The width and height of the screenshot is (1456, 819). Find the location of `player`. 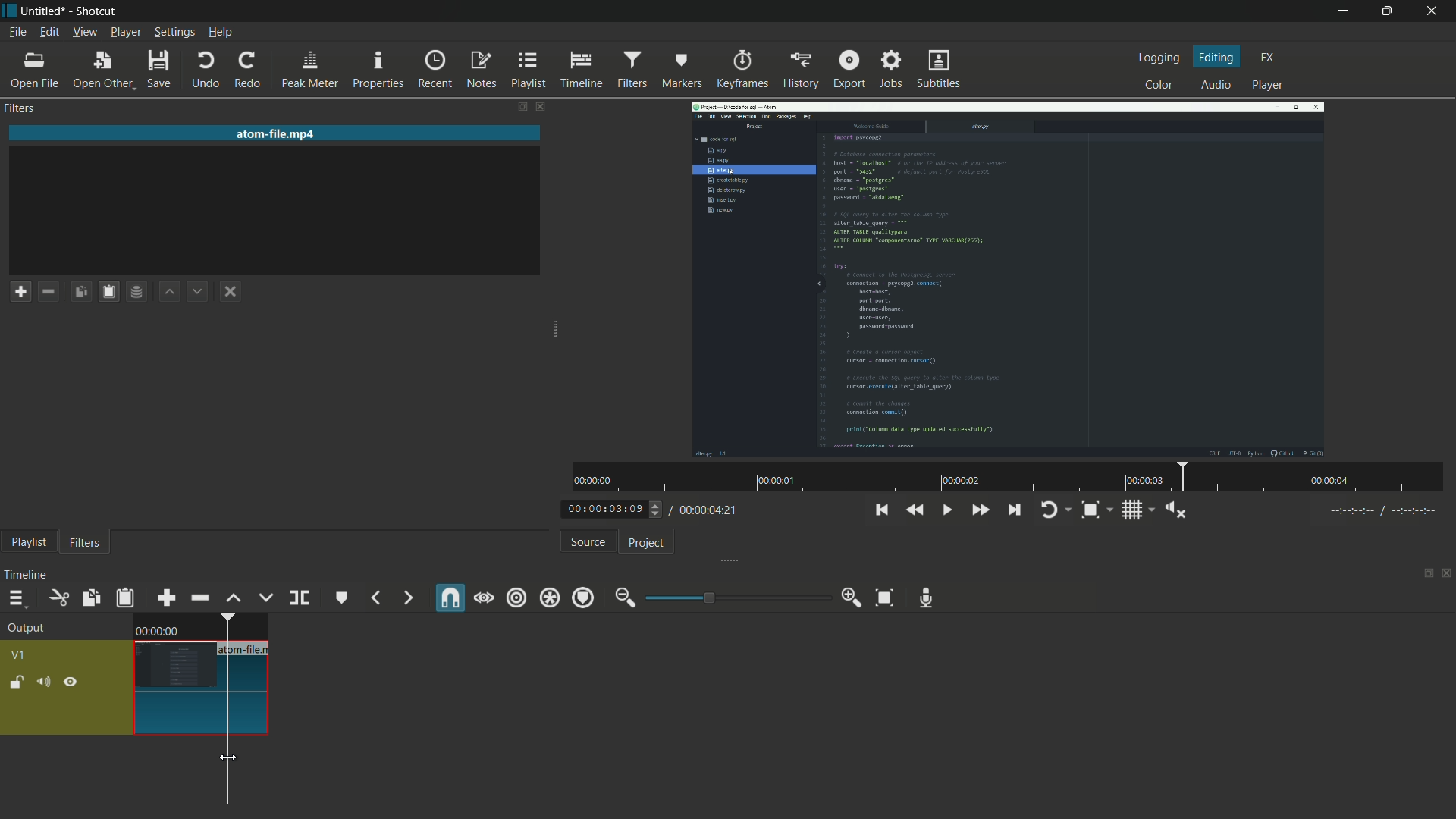

player is located at coordinates (1266, 86).